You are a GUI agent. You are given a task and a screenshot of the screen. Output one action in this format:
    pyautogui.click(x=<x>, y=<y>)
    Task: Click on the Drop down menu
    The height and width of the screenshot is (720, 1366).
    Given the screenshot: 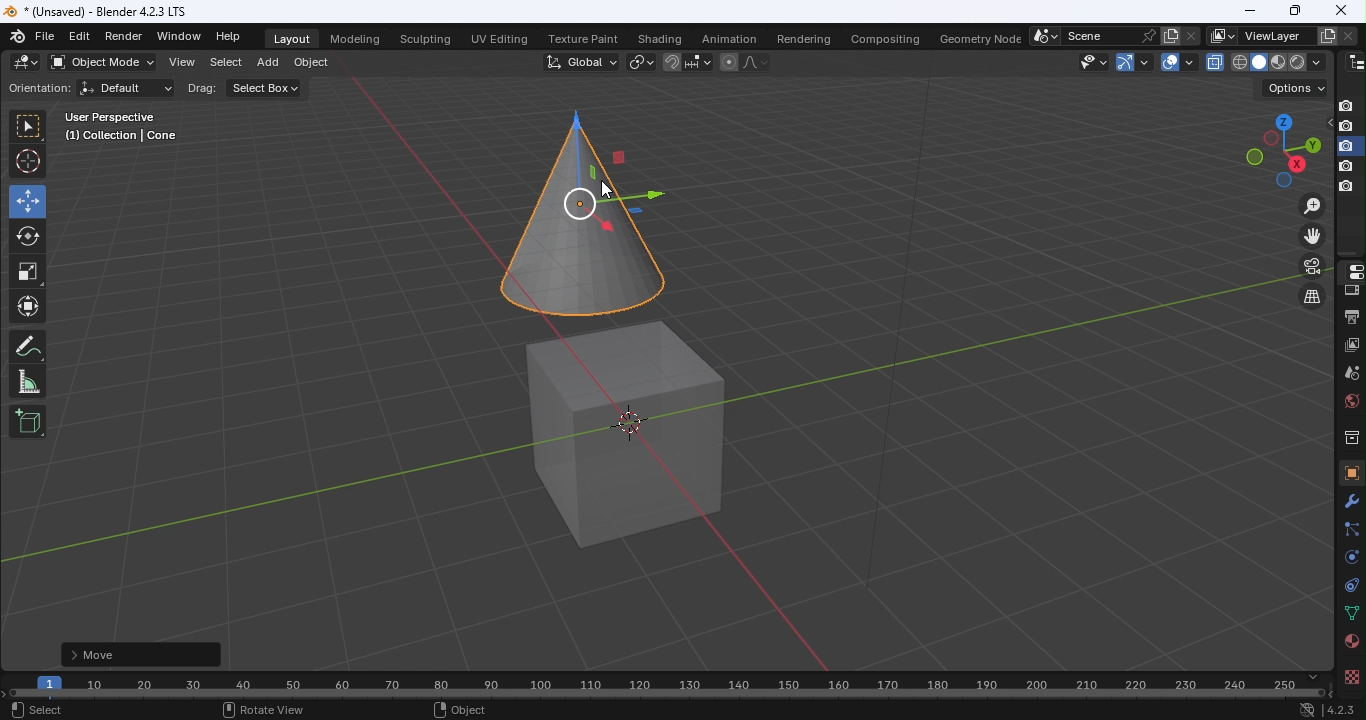 What is the action you would take?
    pyautogui.click(x=1295, y=88)
    